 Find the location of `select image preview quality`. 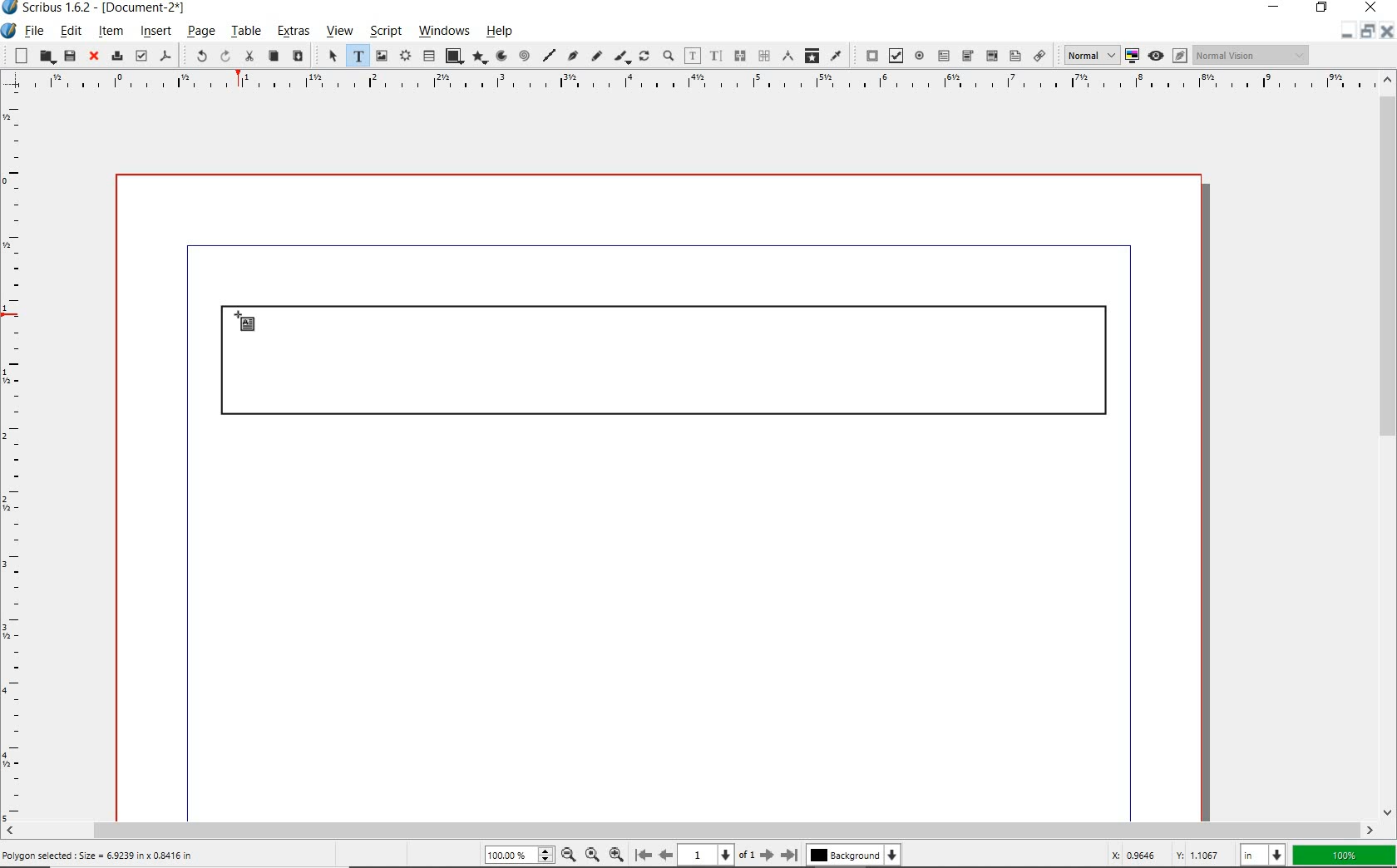

select image preview quality is located at coordinates (1086, 55).